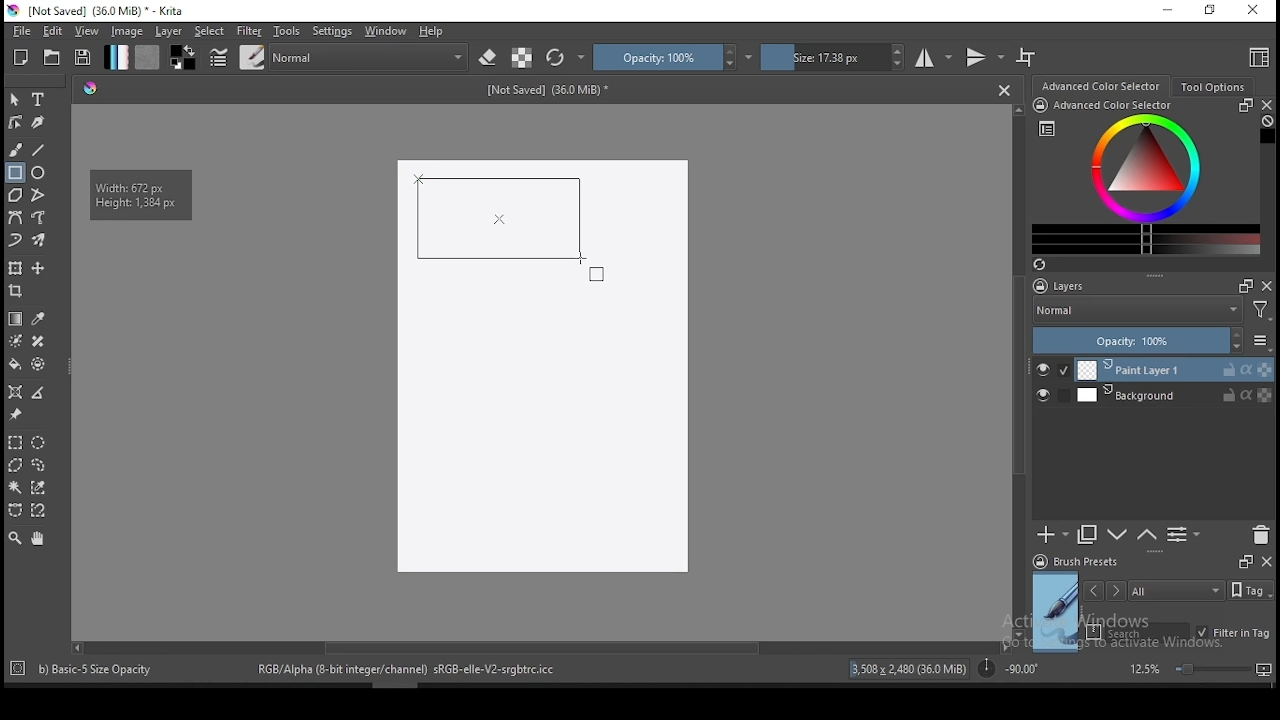 The width and height of the screenshot is (1280, 720). What do you see at coordinates (1214, 87) in the screenshot?
I see `tool options` at bounding box center [1214, 87].